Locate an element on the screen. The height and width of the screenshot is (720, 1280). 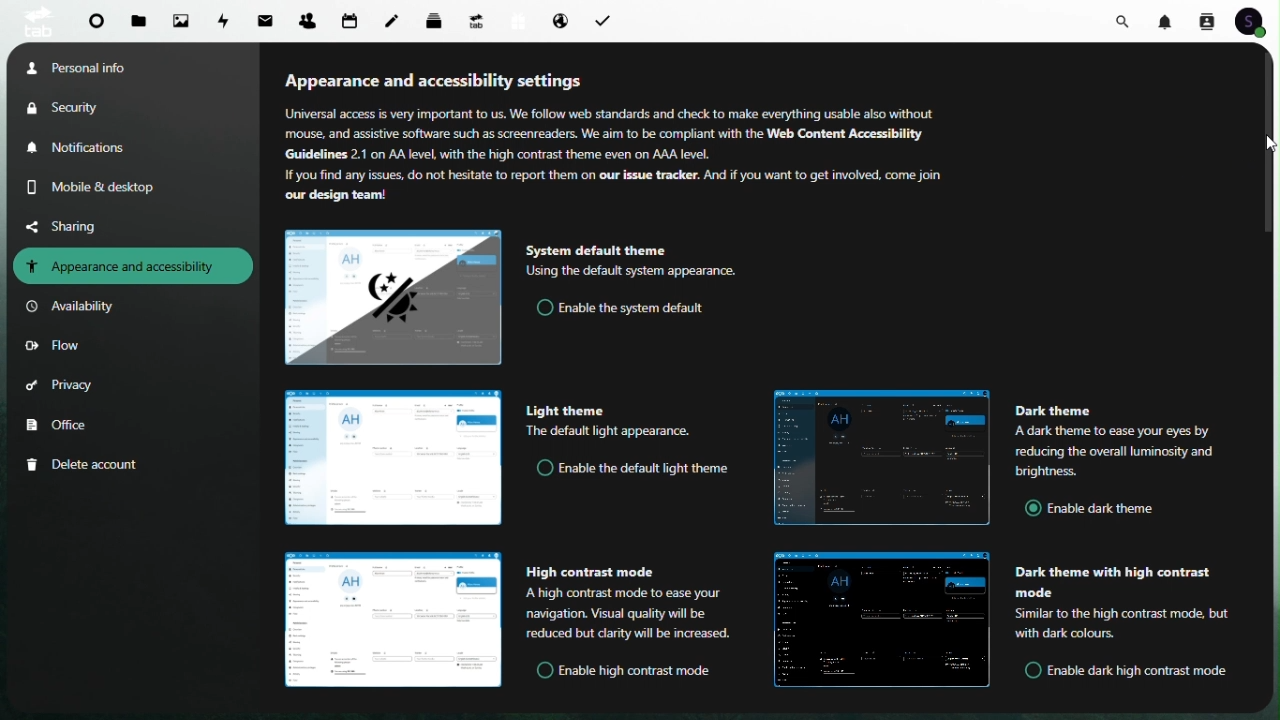
Using the default system appearance is located at coordinates (633, 271).